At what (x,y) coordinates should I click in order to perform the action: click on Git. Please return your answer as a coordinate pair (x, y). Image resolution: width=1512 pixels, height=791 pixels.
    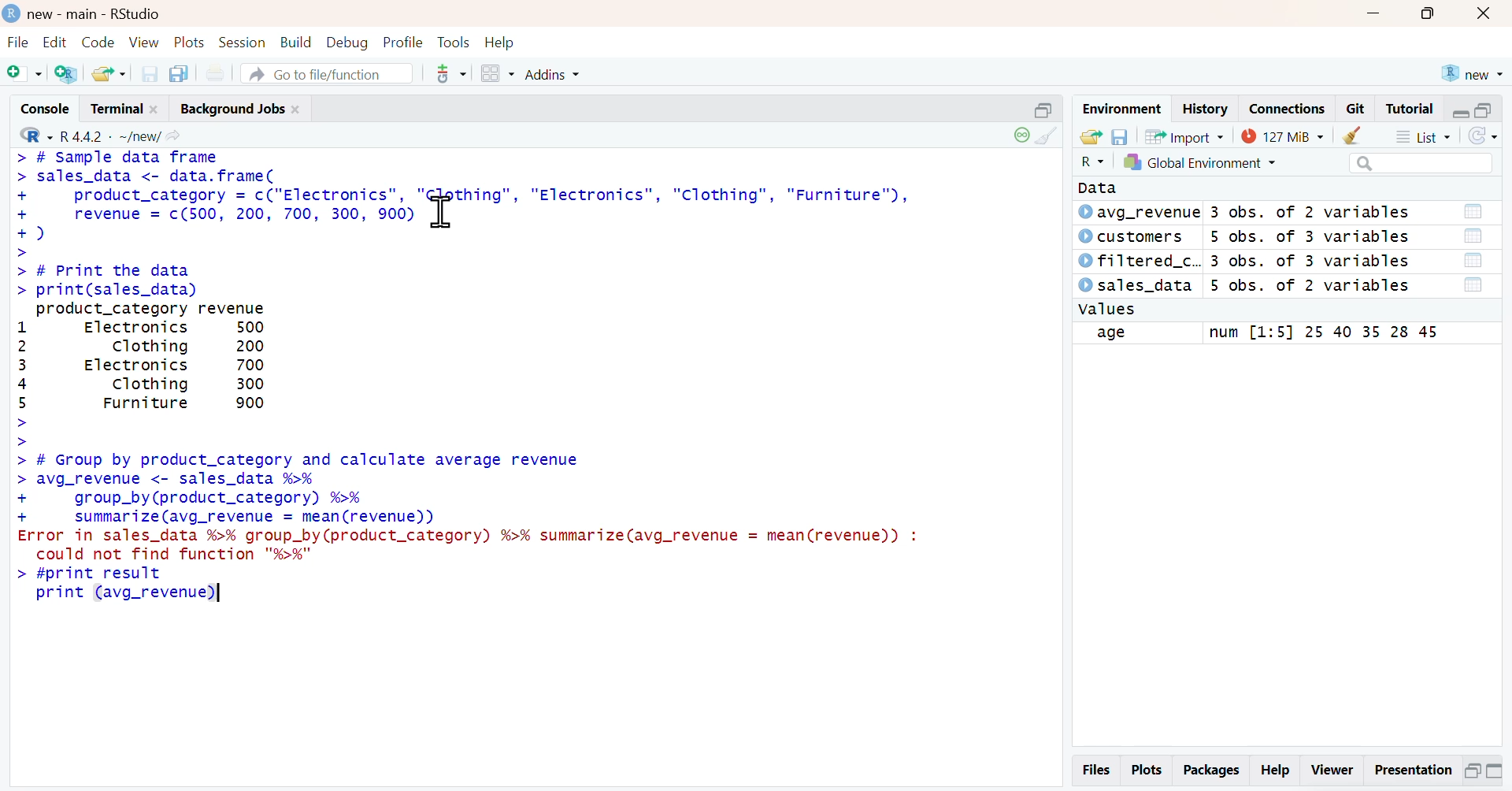
    Looking at the image, I should click on (1356, 109).